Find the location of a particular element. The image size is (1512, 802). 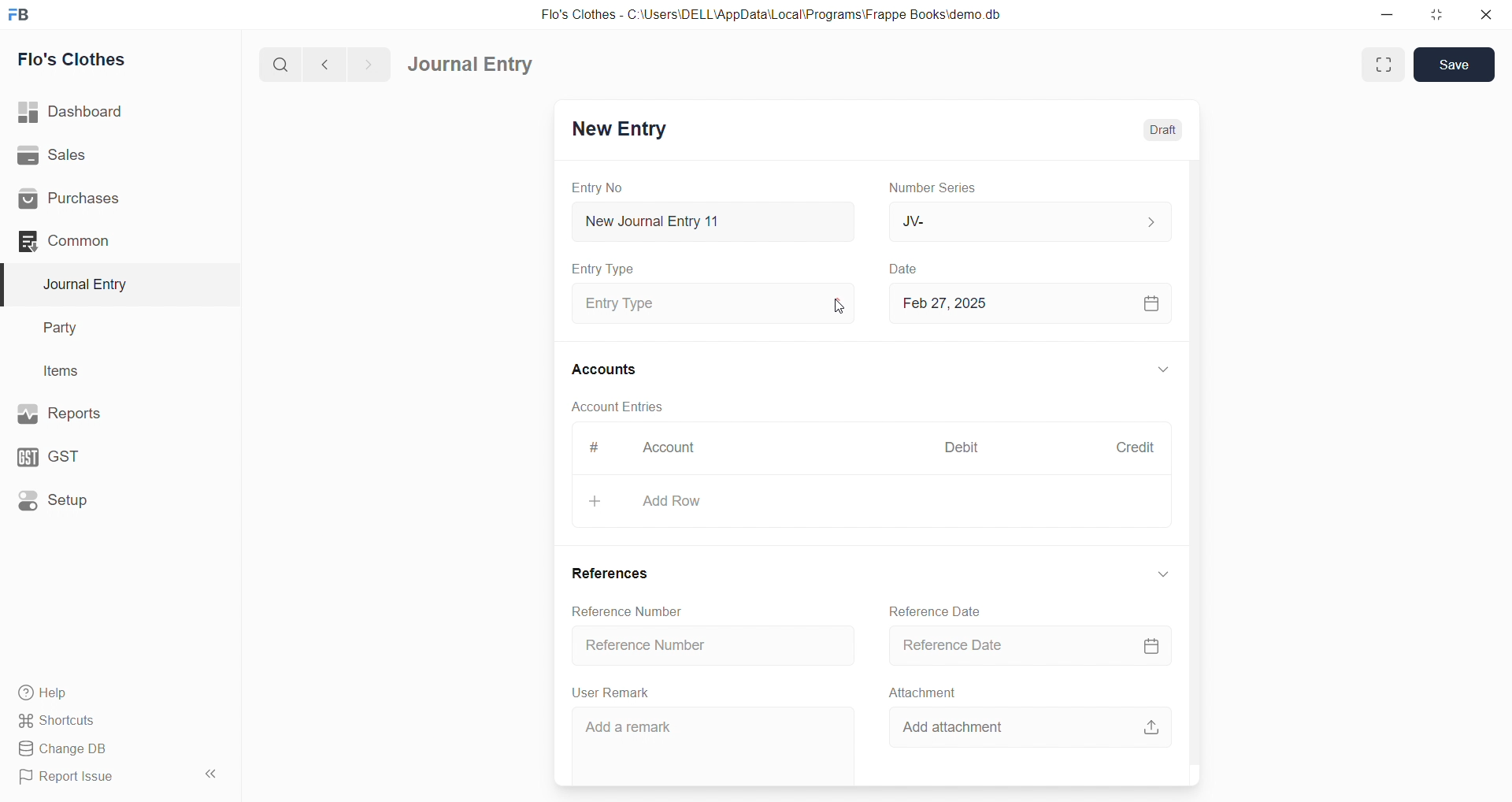

Number Series is located at coordinates (939, 188).